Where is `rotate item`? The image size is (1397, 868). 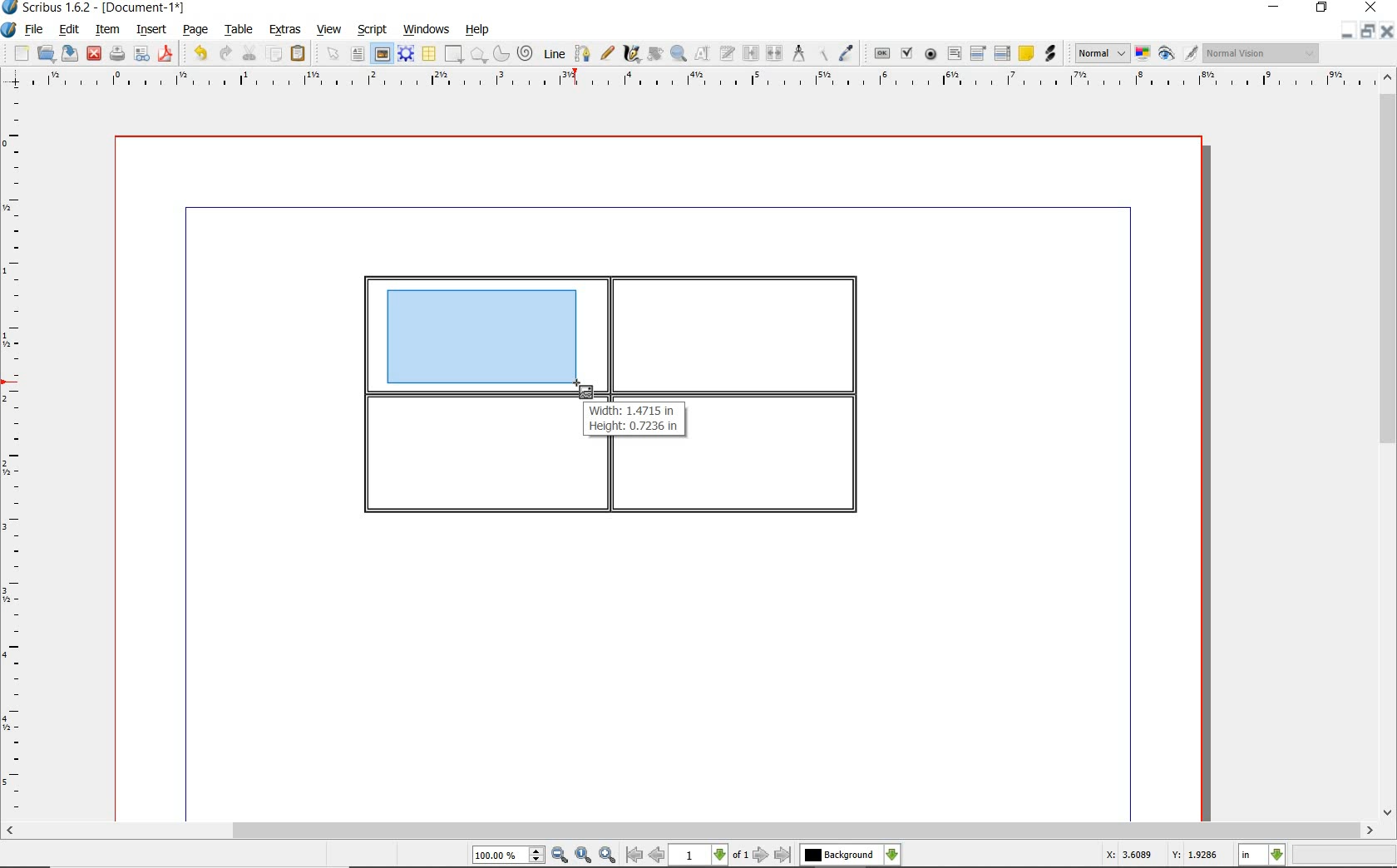 rotate item is located at coordinates (654, 55).